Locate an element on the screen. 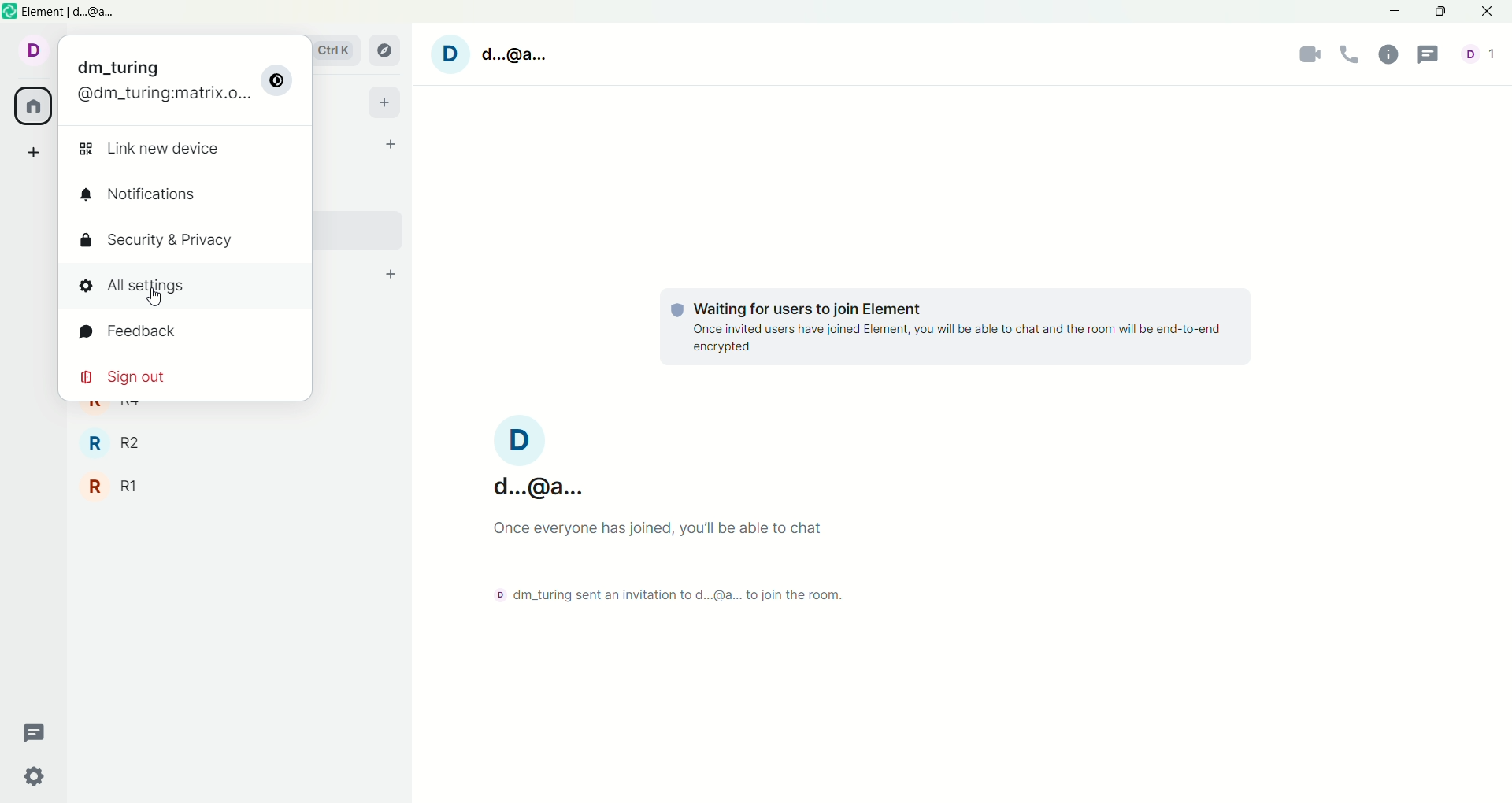 This screenshot has width=1512, height=803. Once everyone has joined, you'll be able to chat is located at coordinates (655, 527).